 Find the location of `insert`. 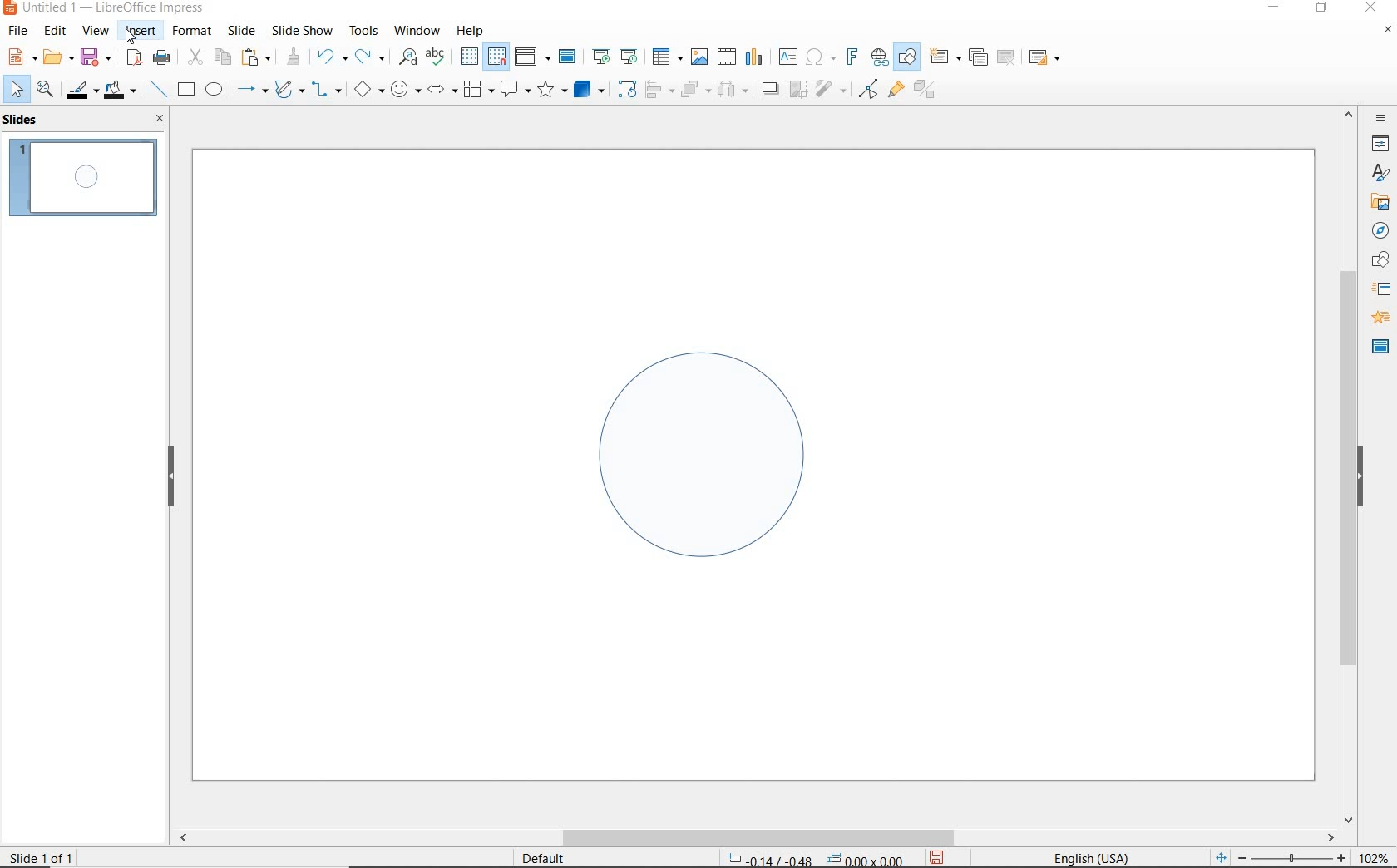

insert is located at coordinates (141, 32).